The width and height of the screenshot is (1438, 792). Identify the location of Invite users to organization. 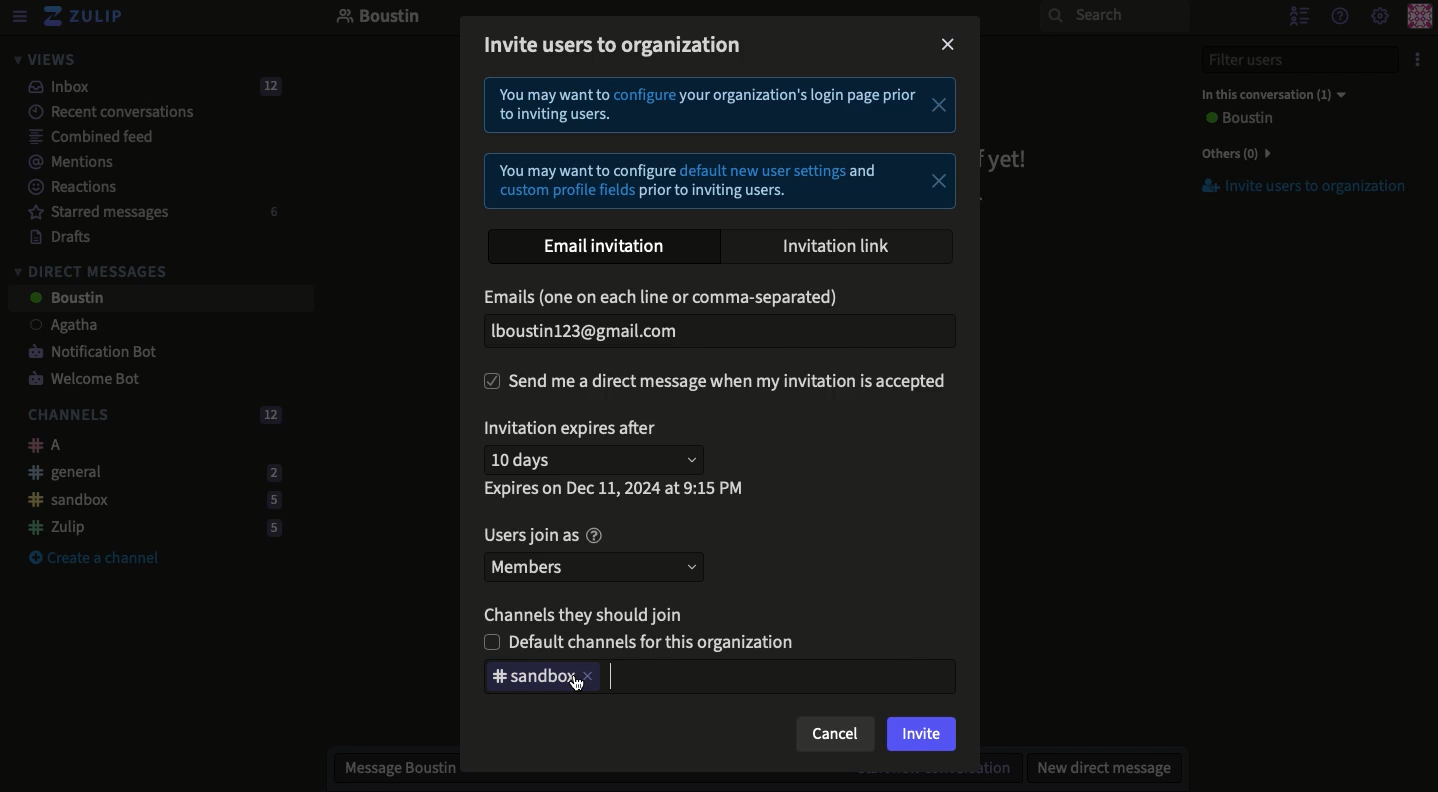
(618, 44).